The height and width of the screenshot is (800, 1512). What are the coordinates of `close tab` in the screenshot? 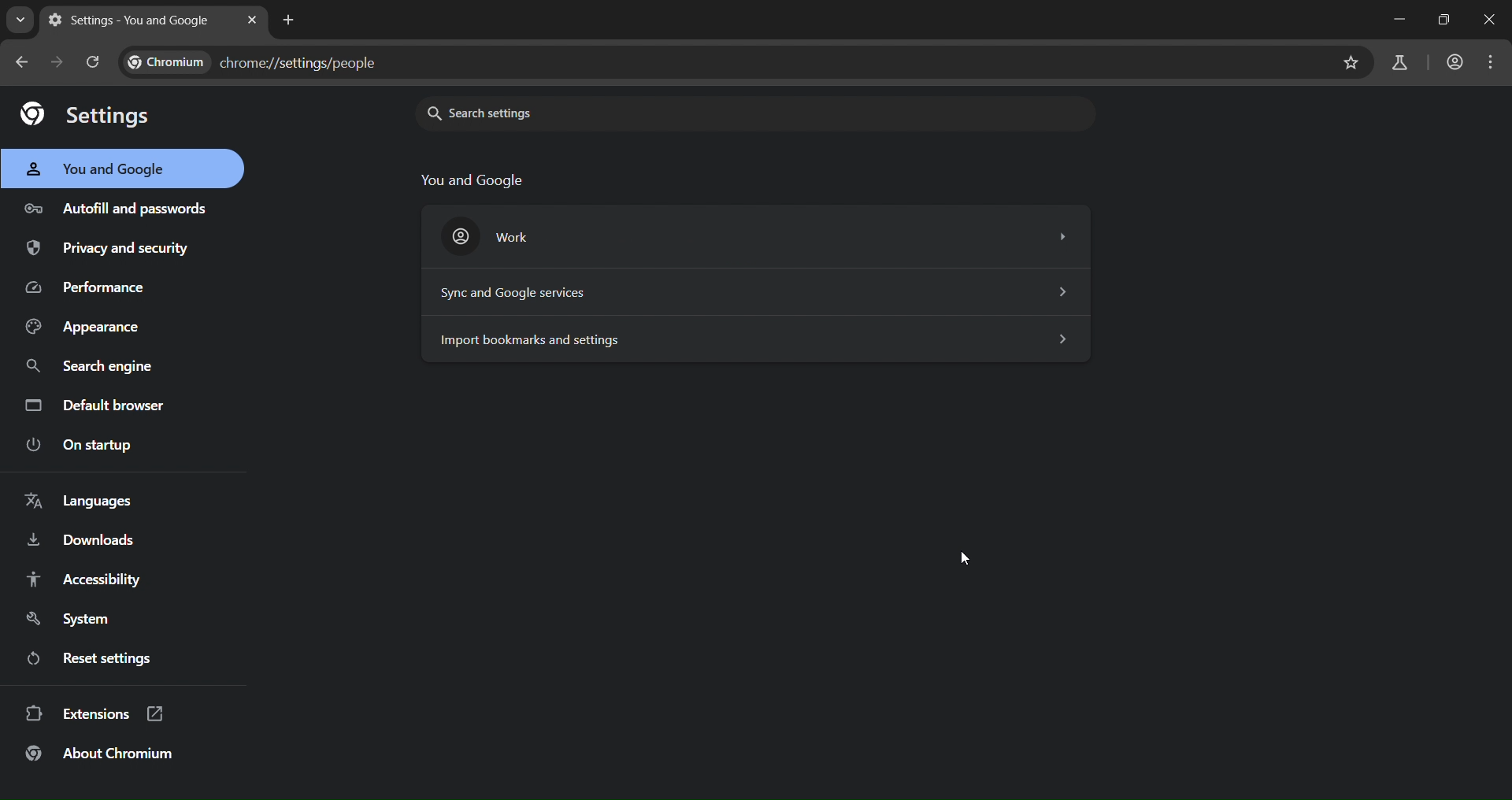 It's located at (254, 20).